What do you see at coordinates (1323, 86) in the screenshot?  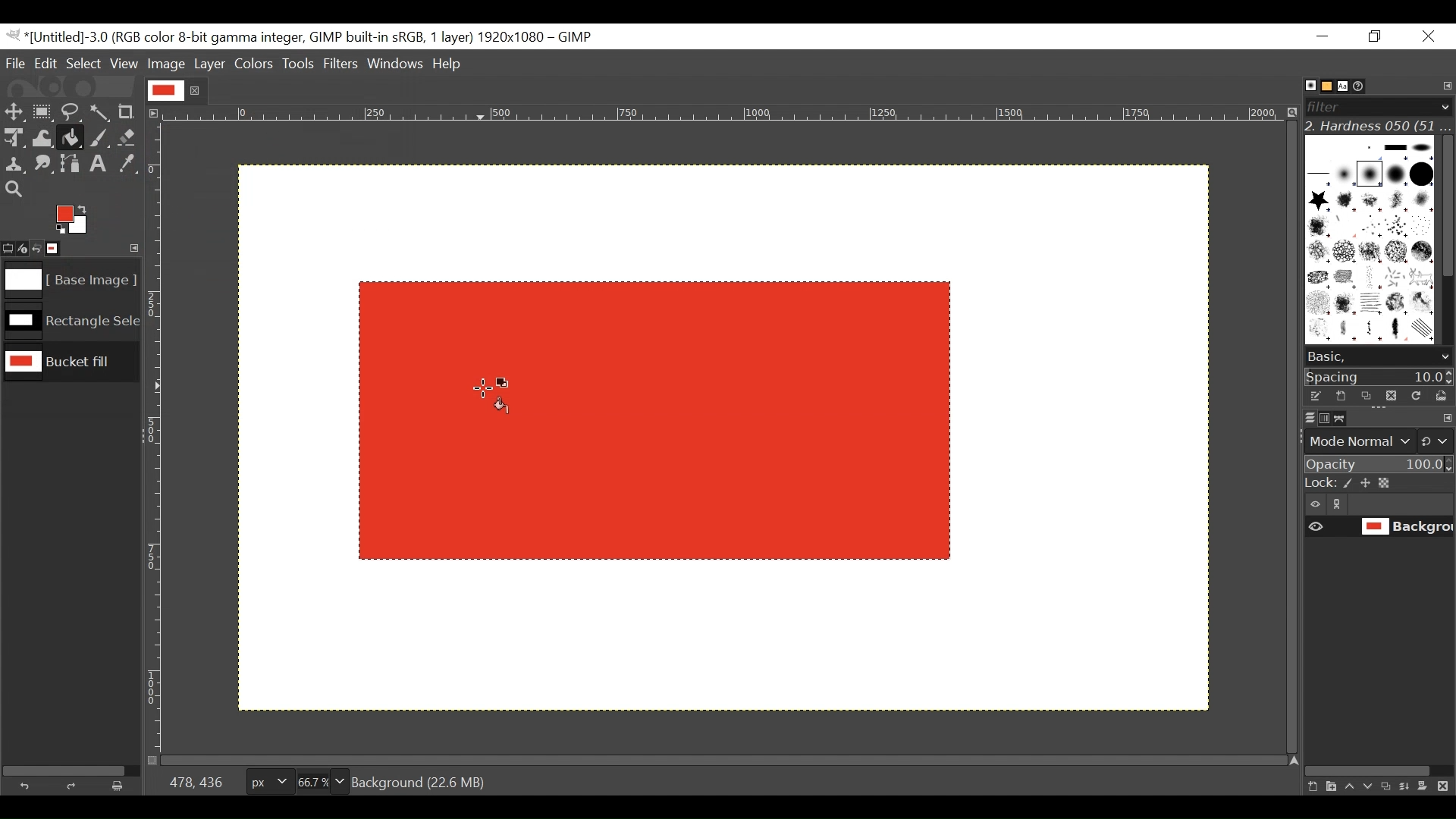 I see `Basic` at bounding box center [1323, 86].